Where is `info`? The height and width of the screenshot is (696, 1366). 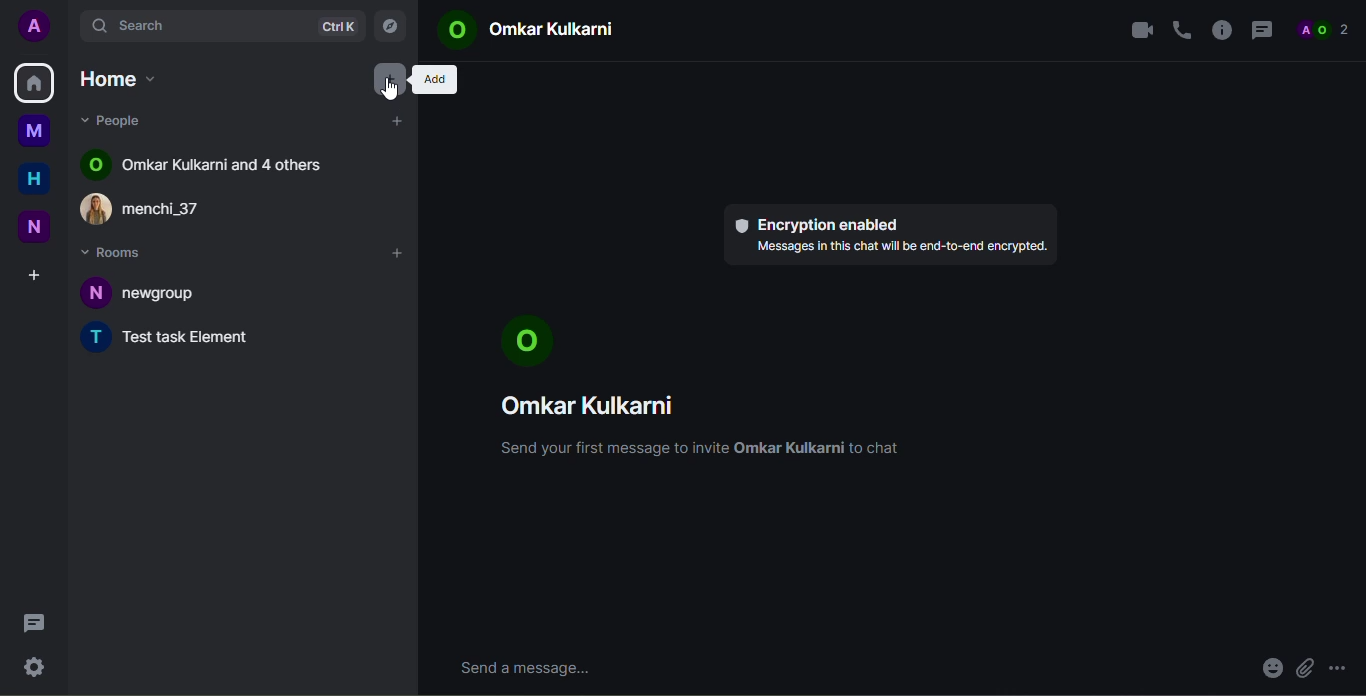
info is located at coordinates (1221, 28).